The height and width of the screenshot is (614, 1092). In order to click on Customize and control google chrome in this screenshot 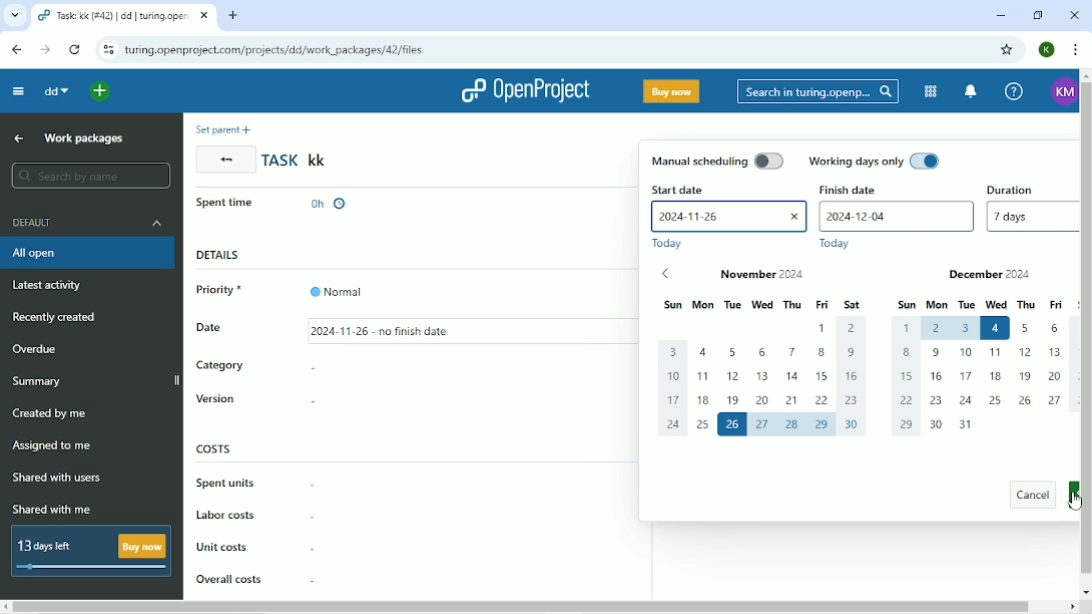, I will do `click(1074, 50)`.